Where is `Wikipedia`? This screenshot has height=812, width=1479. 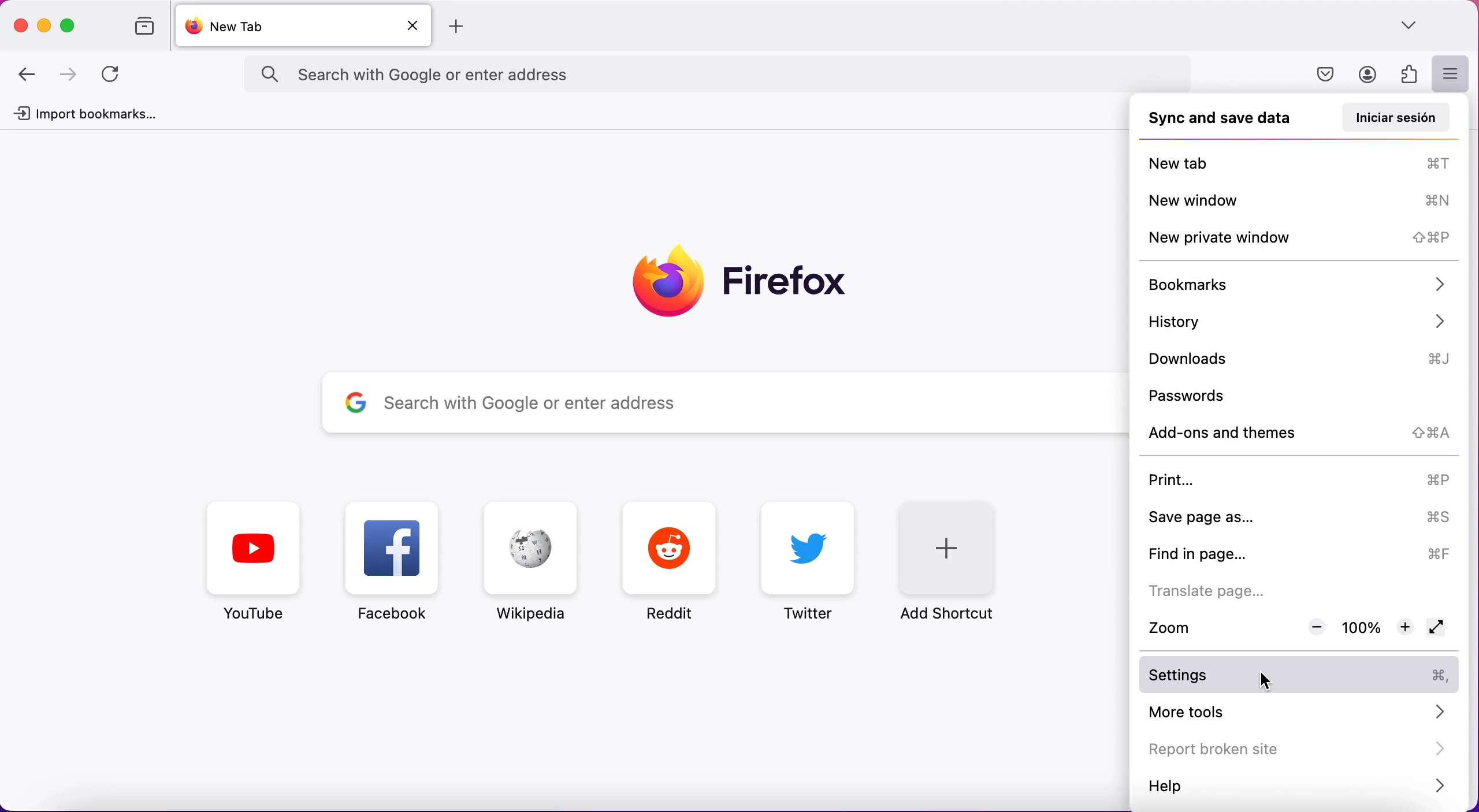
Wikipedia is located at coordinates (527, 562).